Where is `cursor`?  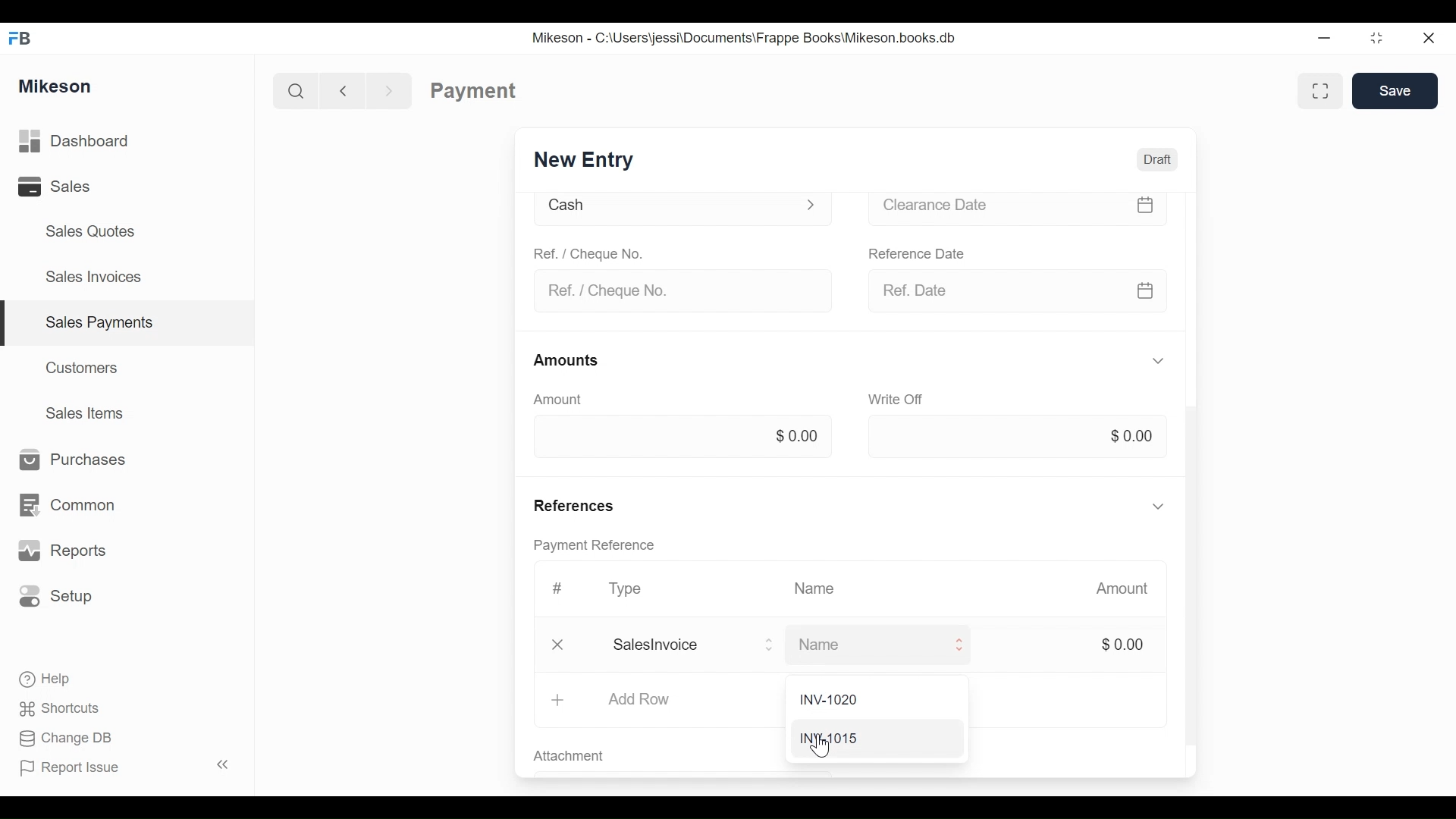 cursor is located at coordinates (825, 747).